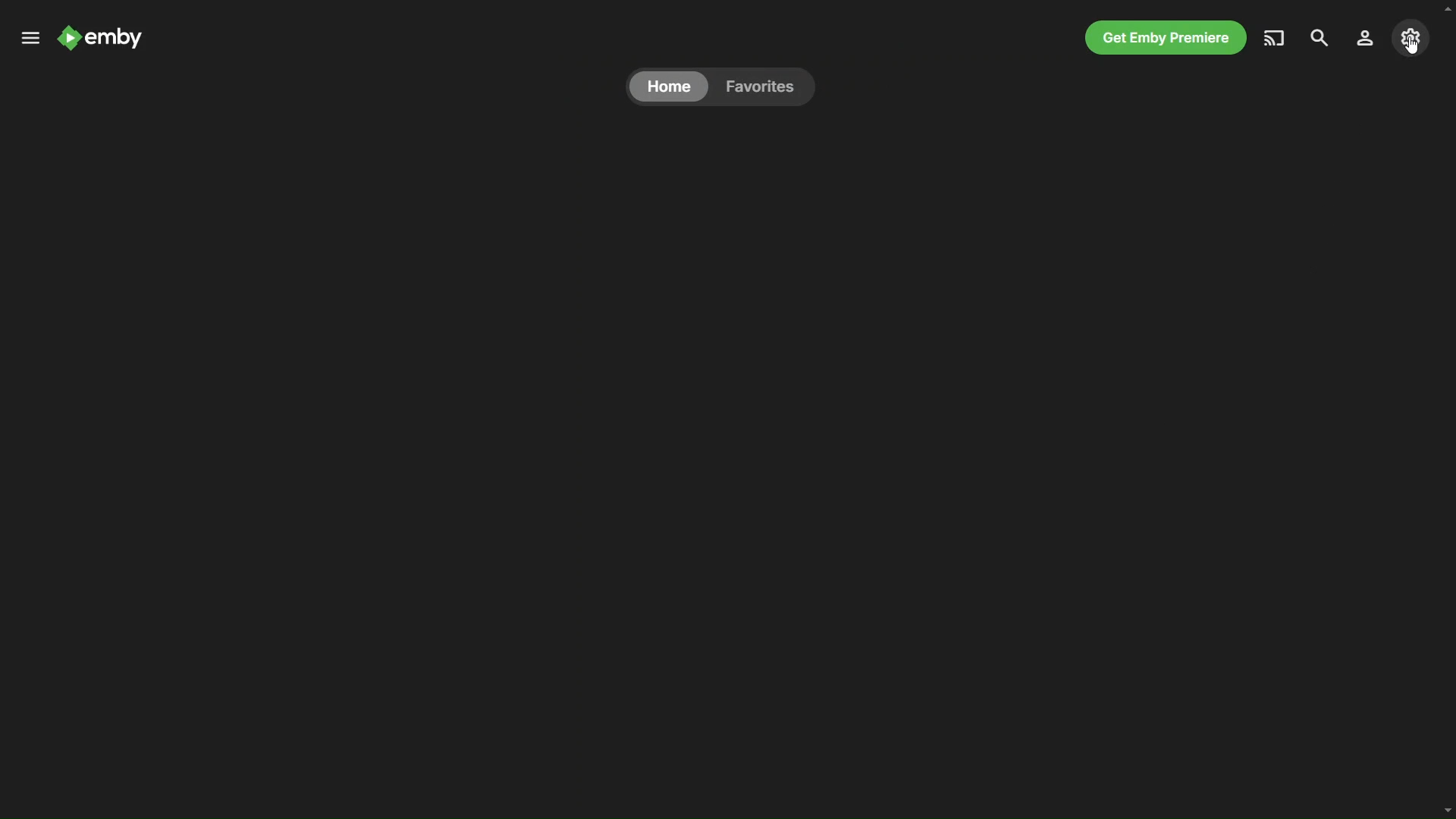 This screenshot has height=819, width=1456. Describe the element at coordinates (1274, 36) in the screenshot. I see `media` at that location.